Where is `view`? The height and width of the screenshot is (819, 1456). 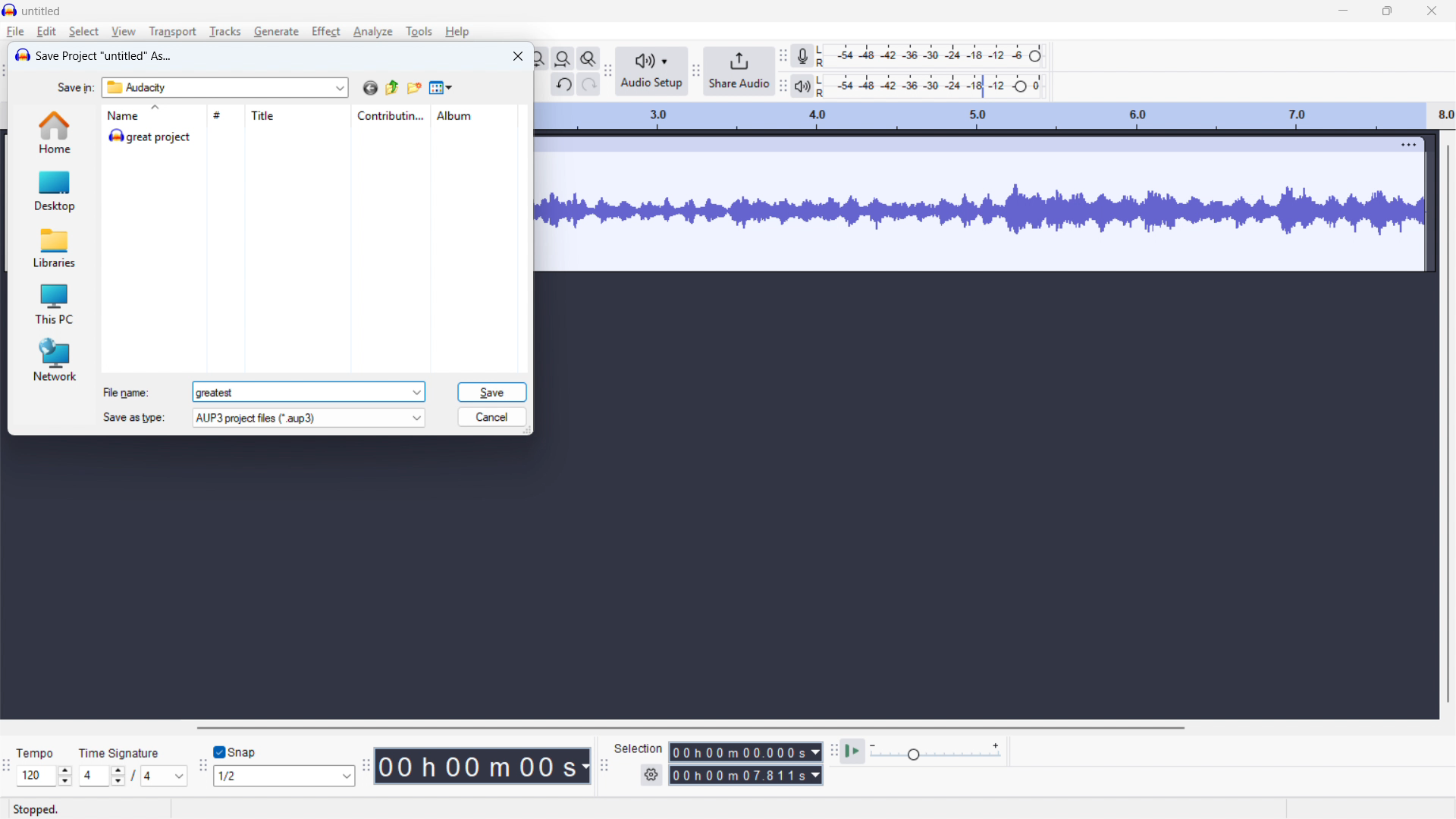 view is located at coordinates (124, 32).